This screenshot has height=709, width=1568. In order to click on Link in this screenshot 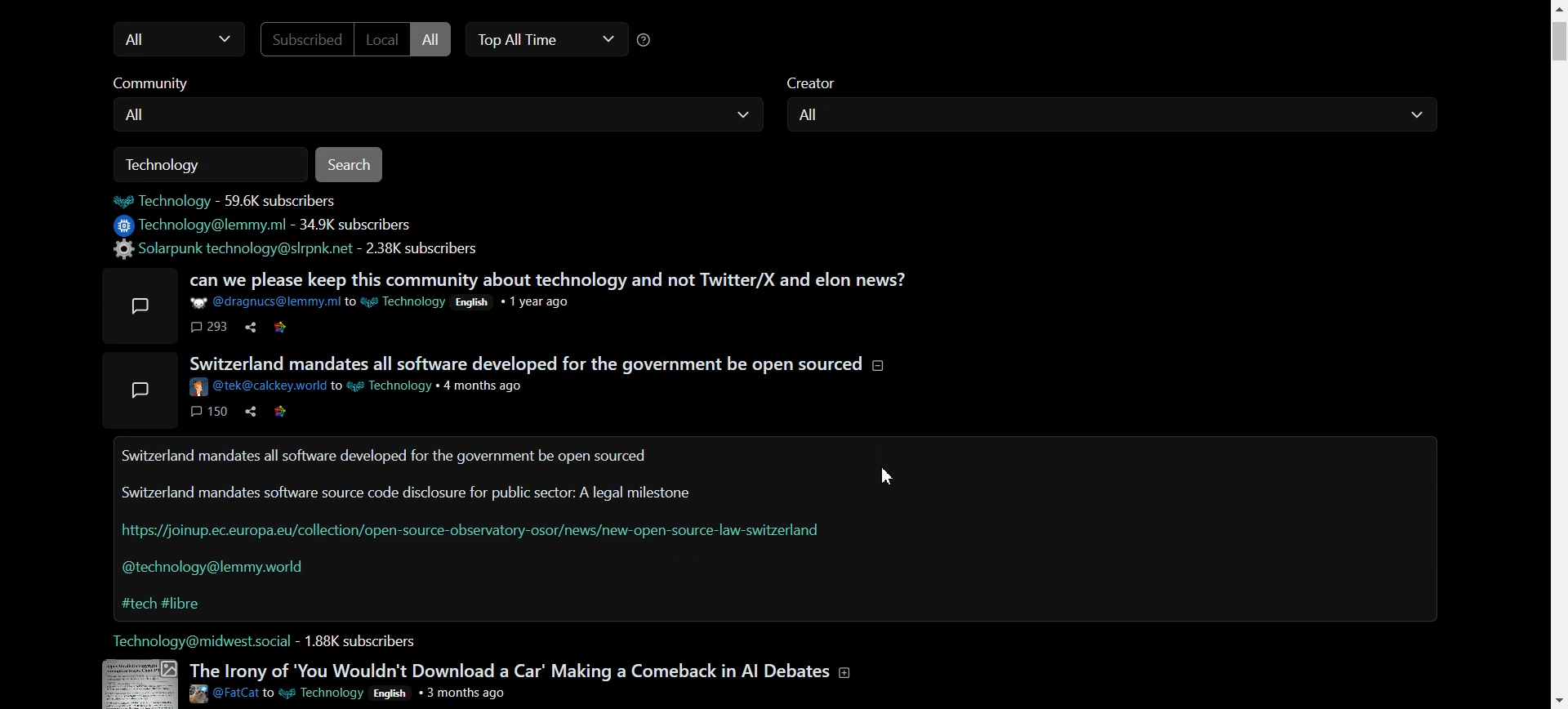, I will do `click(283, 411)`.